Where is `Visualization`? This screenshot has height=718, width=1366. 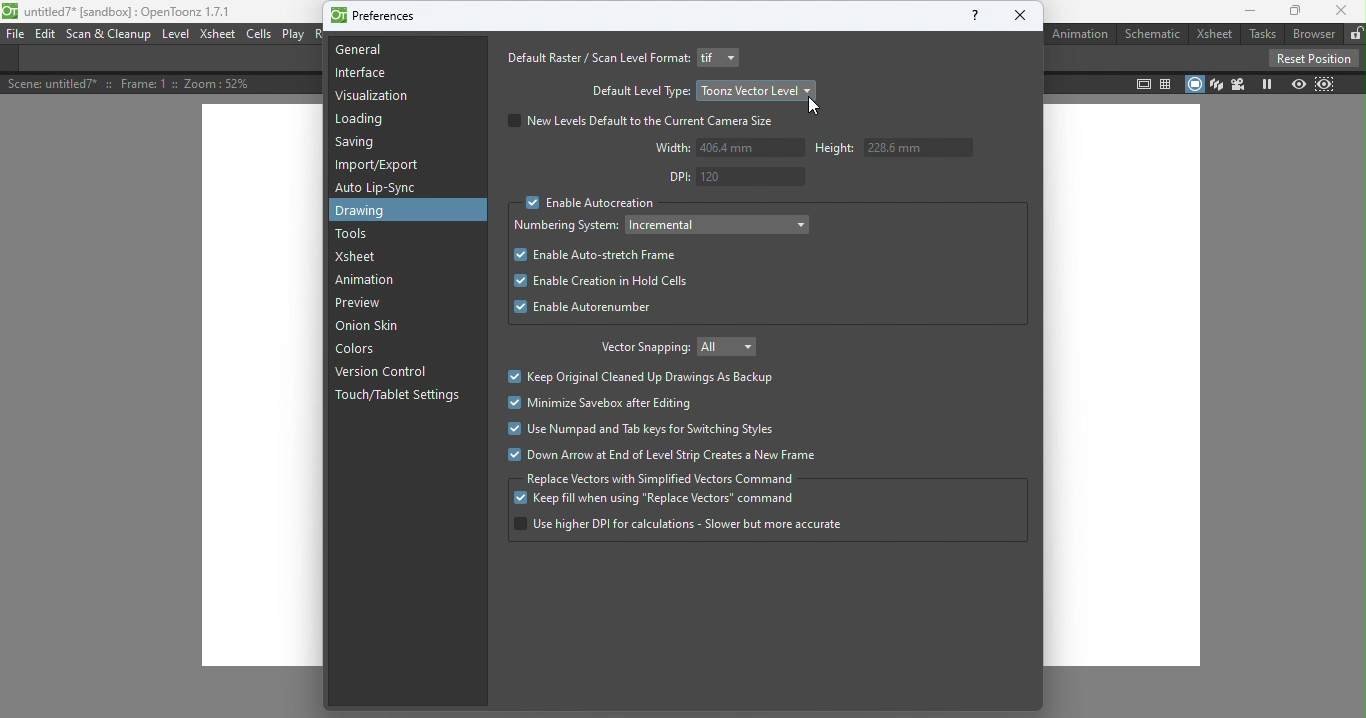 Visualization is located at coordinates (374, 96).